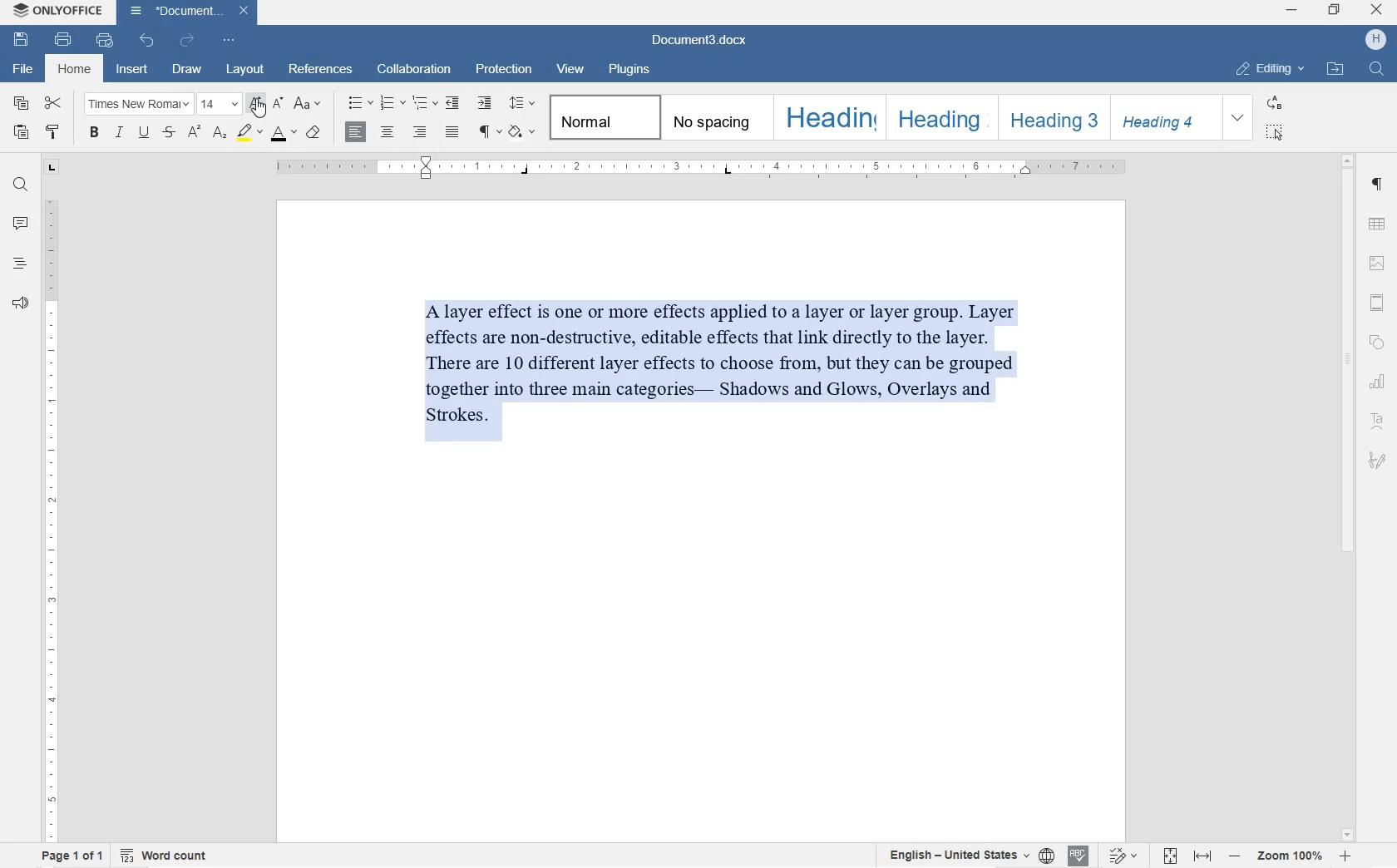 The height and width of the screenshot is (868, 1397). What do you see at coordinates (1378, 419) in the screenshot?
I see `TEXT ART` at bounding box center [1378, 419].